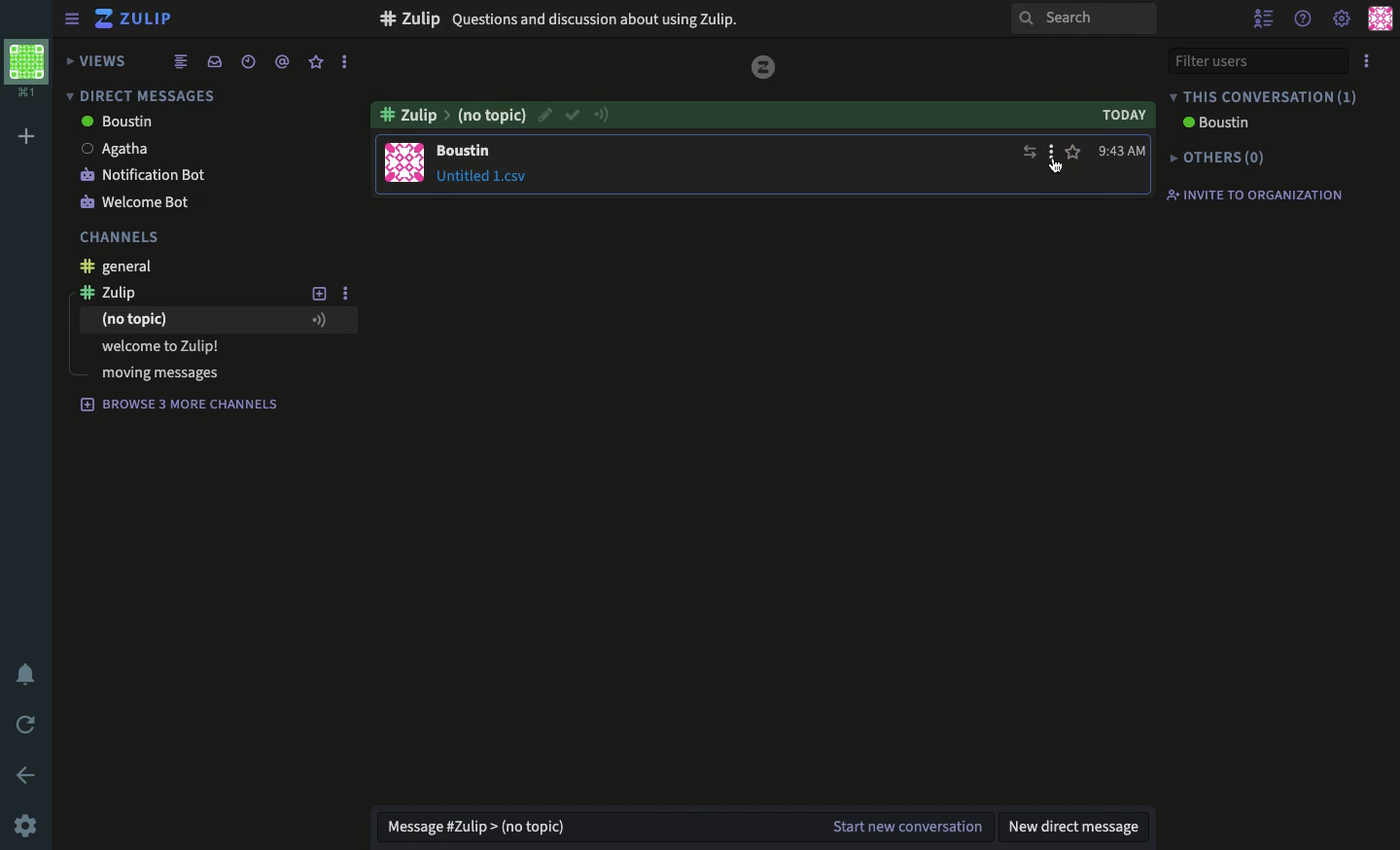  What do you see at coordinates (1266, 96) in the screenshot?
I see `This conversation` at bounding box center [1266, 96].